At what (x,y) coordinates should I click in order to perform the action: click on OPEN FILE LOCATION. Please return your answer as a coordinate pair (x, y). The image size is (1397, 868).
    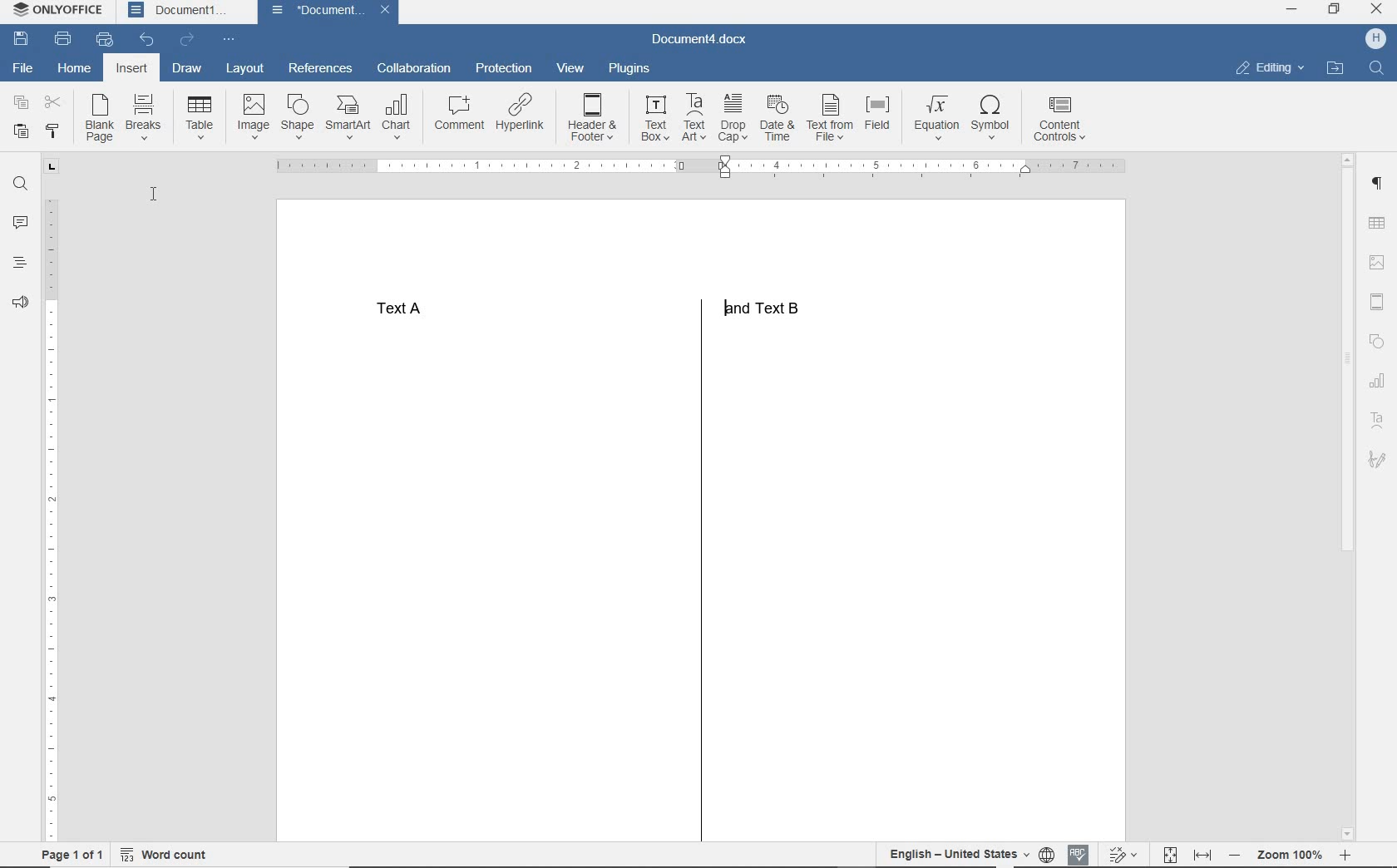
    Looking at the image, I should click on (1336, 68).